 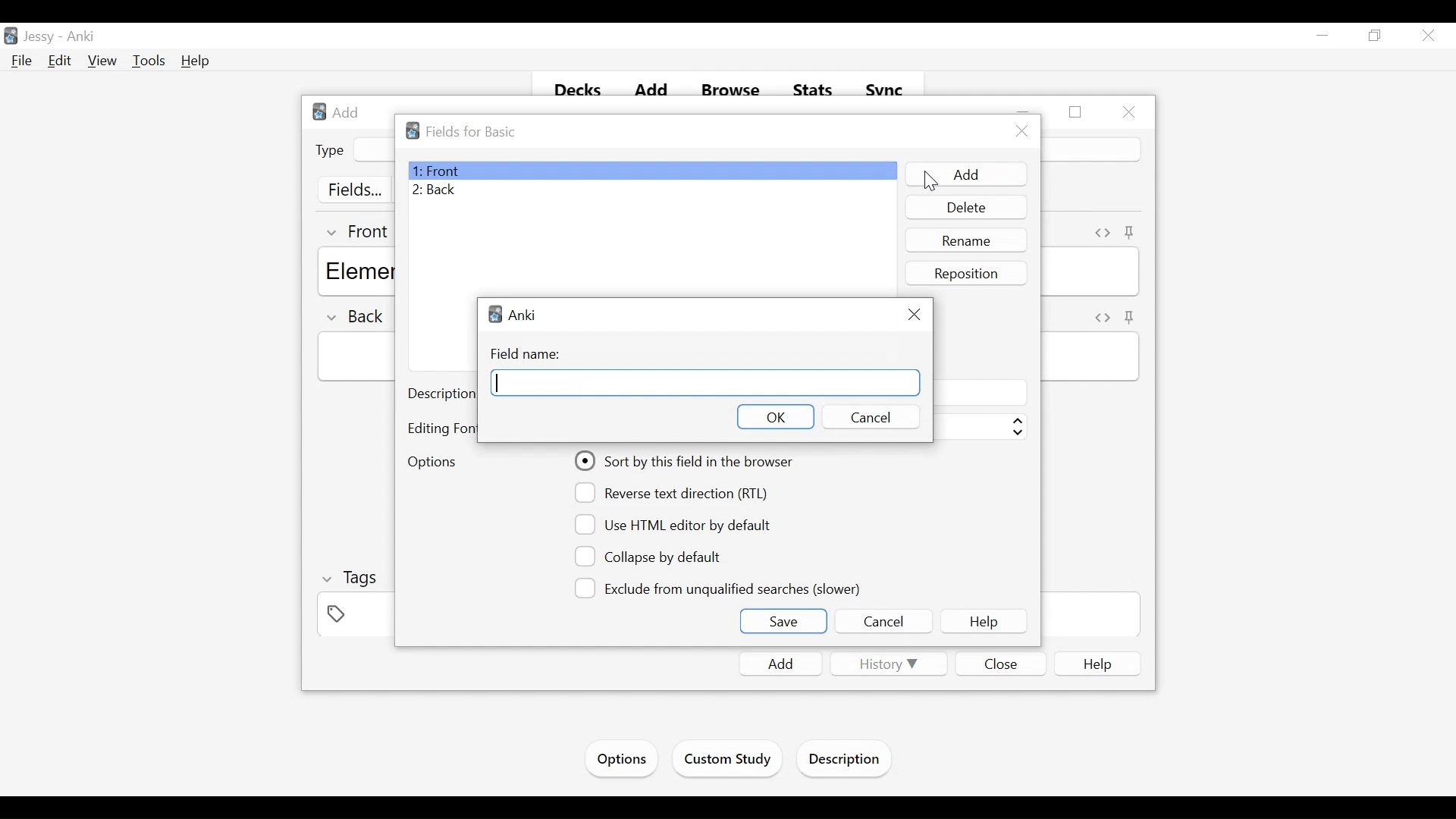 What do you see at coordinates (784, 621) in the screenshot?
I see `Save` at bounding box center [784, 621].